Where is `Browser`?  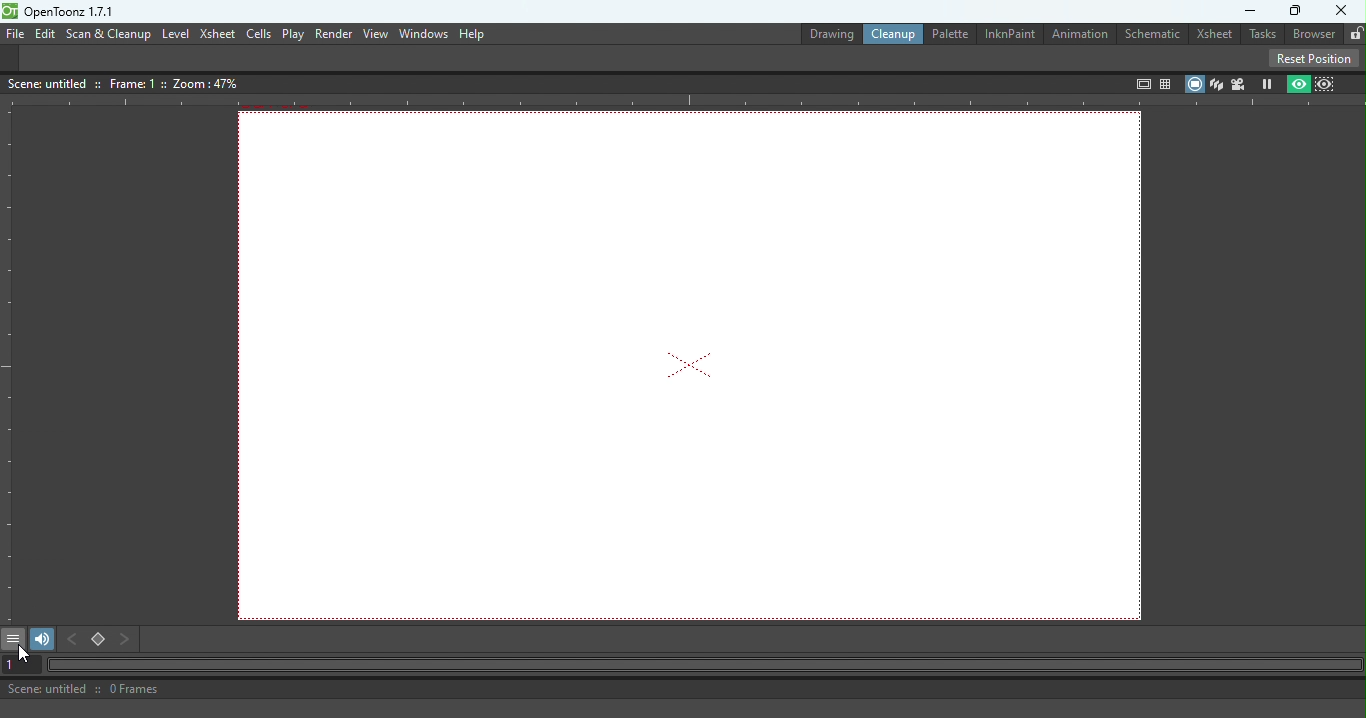 Browser is located at coordinates (1310, 34).